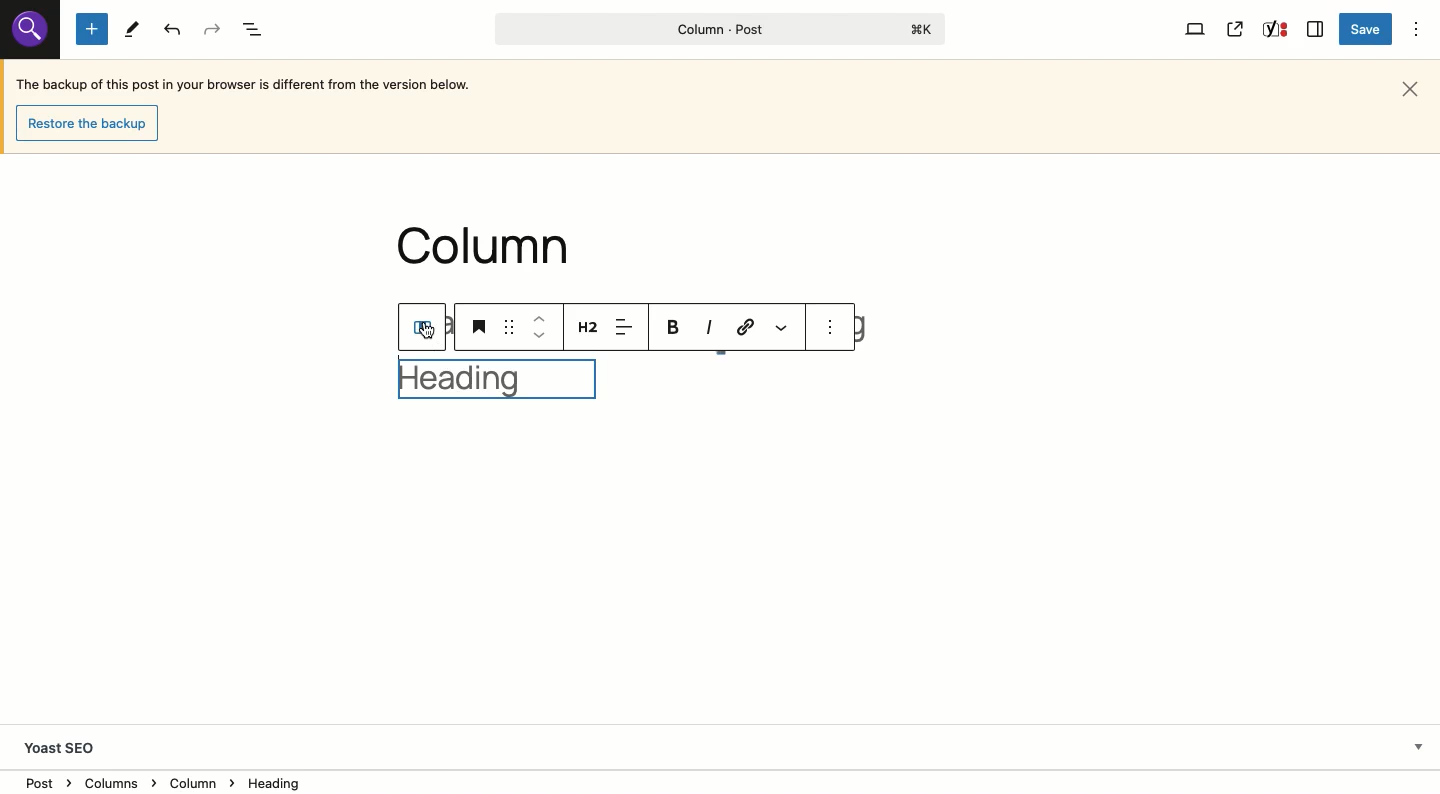  Describe the element at coordinates (834, 328) in the screenshot. I see `see option` at that location.